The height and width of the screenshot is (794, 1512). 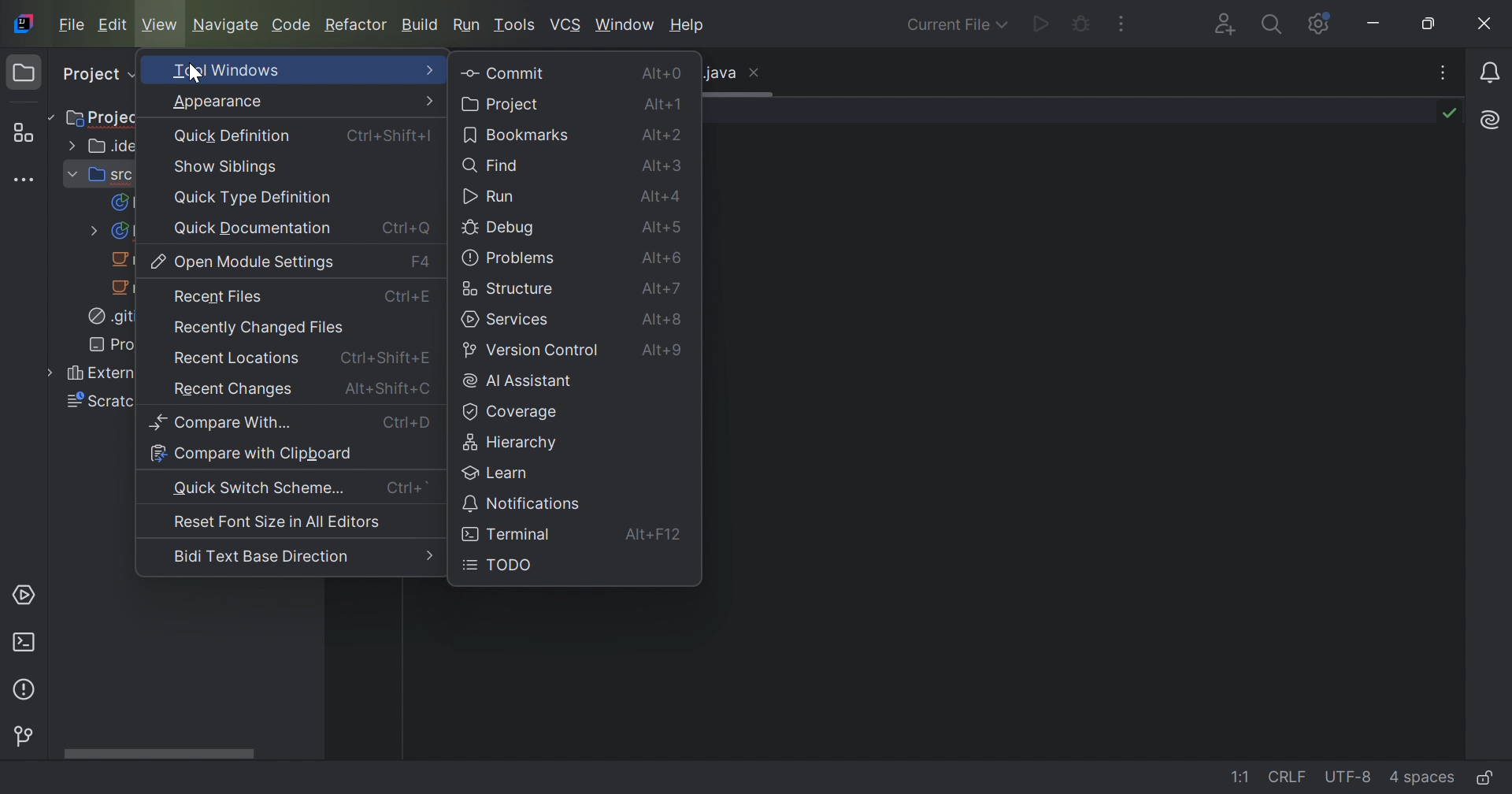 What do you see at coordinates (26, 643) in the screenshot?
I see `Terminal` at bounding box center [26, 643].